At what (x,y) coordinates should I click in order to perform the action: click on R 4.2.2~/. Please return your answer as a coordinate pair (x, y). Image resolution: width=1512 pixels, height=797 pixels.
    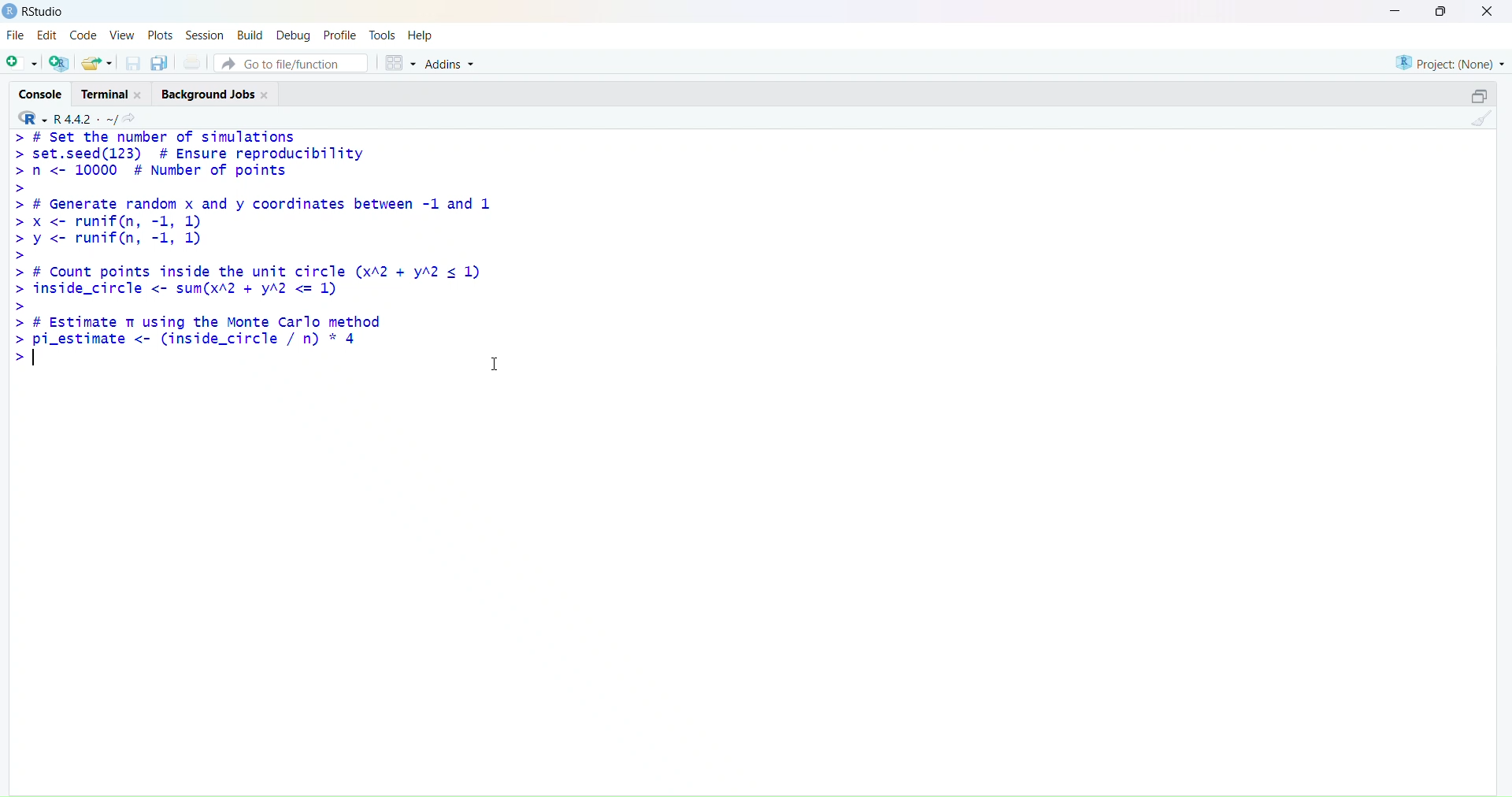
    Looking at the image, I should click on (87, 117).